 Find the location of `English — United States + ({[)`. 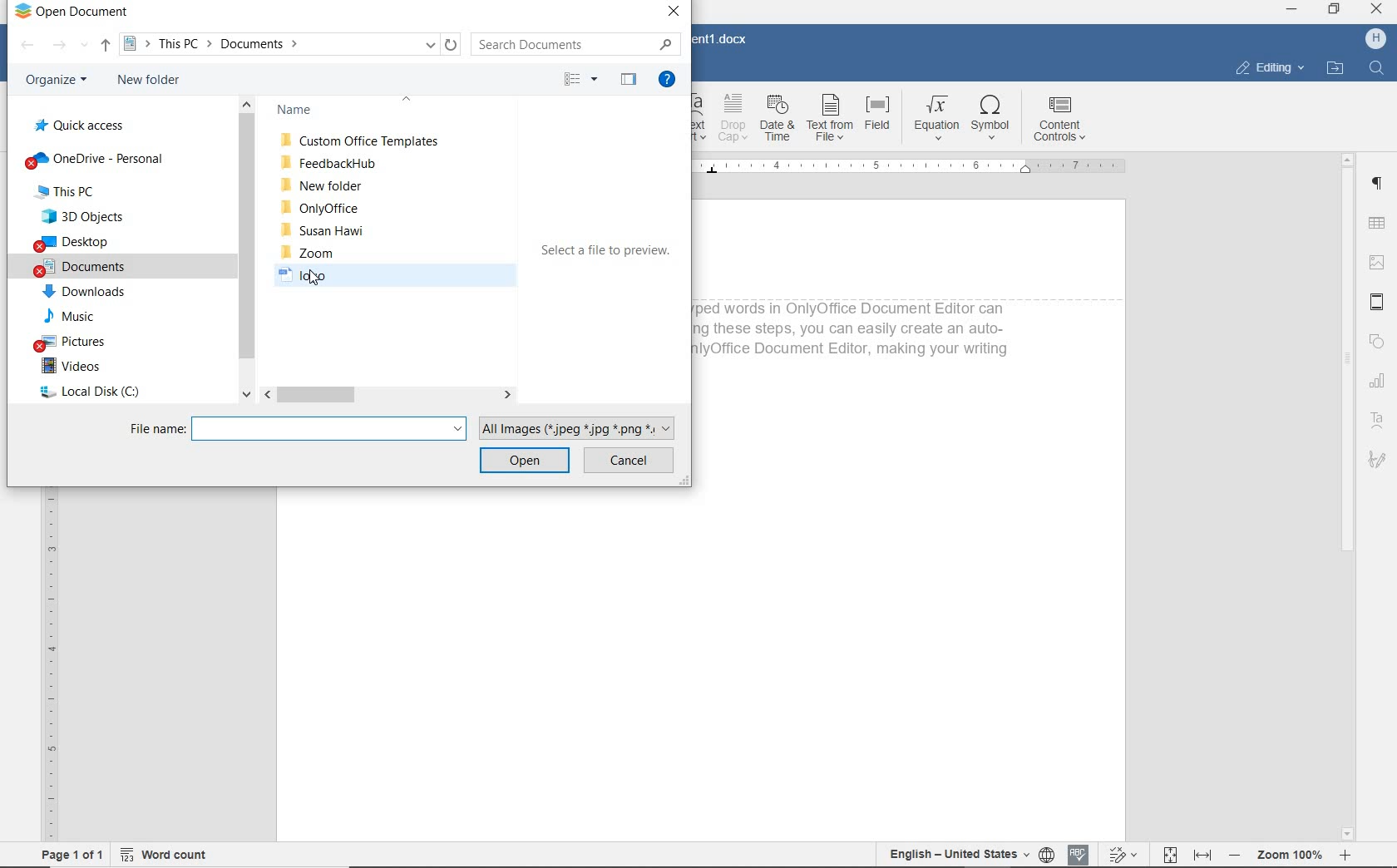

English — United States + ({[) is located at coordinates (960, 855).